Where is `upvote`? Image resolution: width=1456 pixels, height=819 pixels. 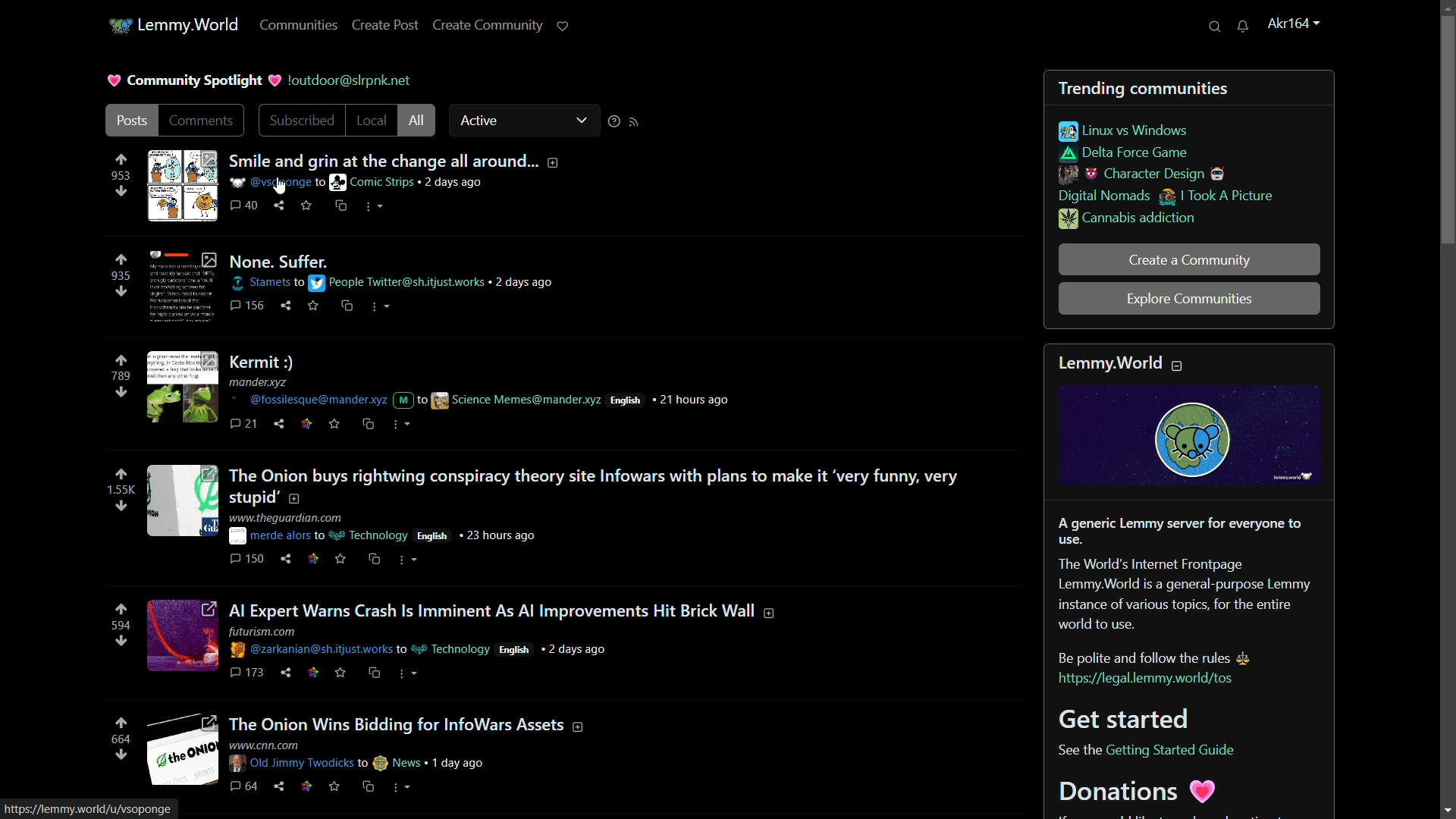 upvote is located at coordinates (121, 160).